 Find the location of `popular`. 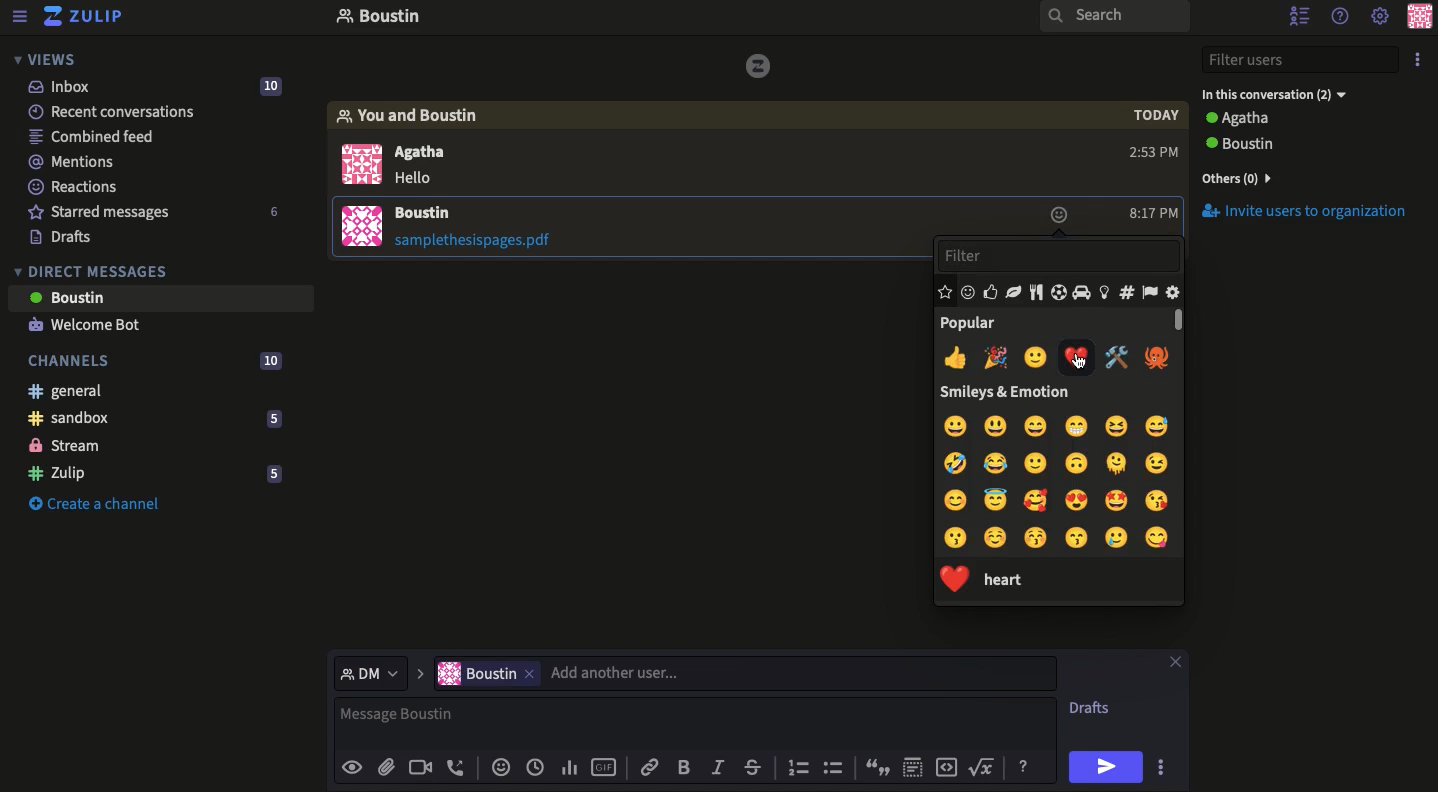

popular is located at coordinates (971, 323).